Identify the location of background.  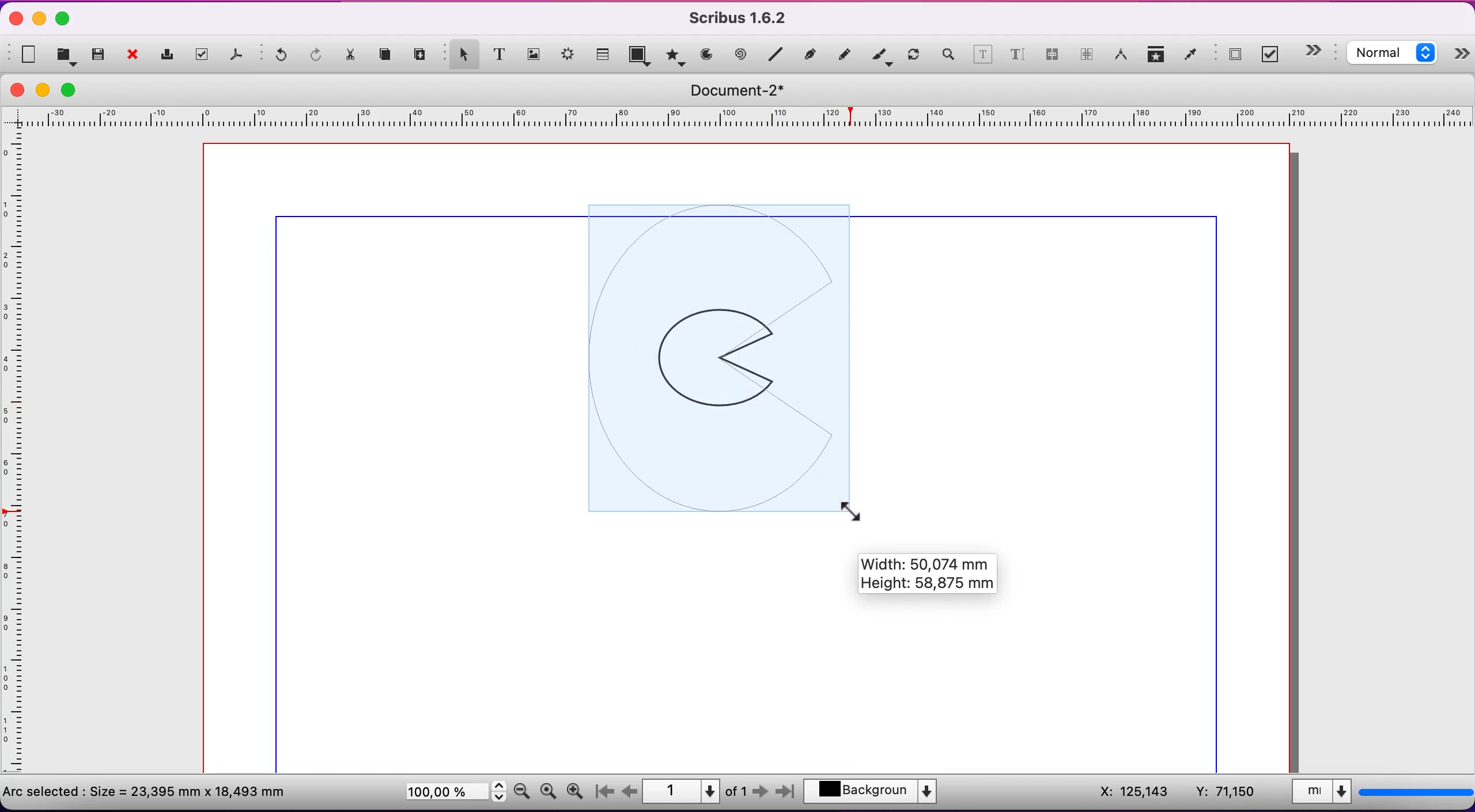
(878, 793).